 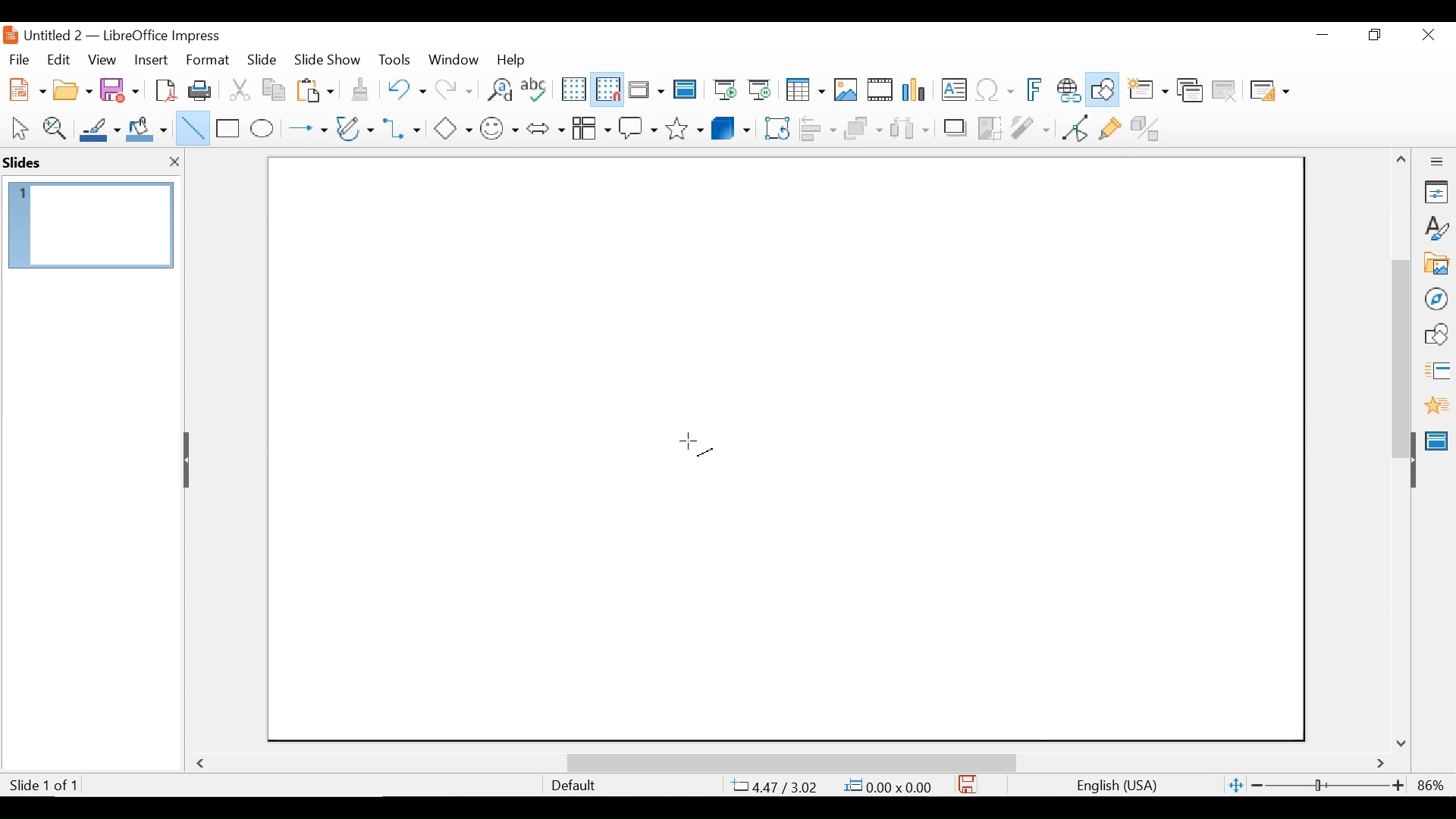 I want to click on Help, so click(x=515, y=59).